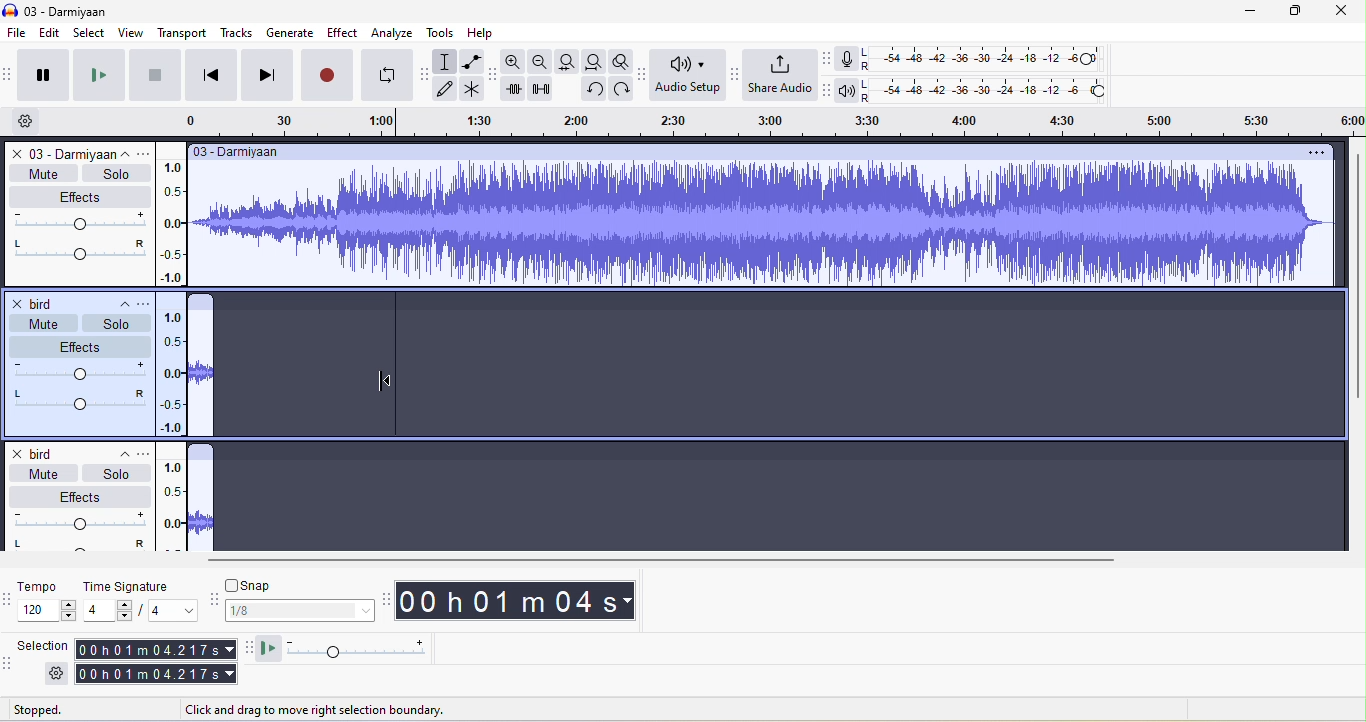  I want to click on redo, so click(620, 89).